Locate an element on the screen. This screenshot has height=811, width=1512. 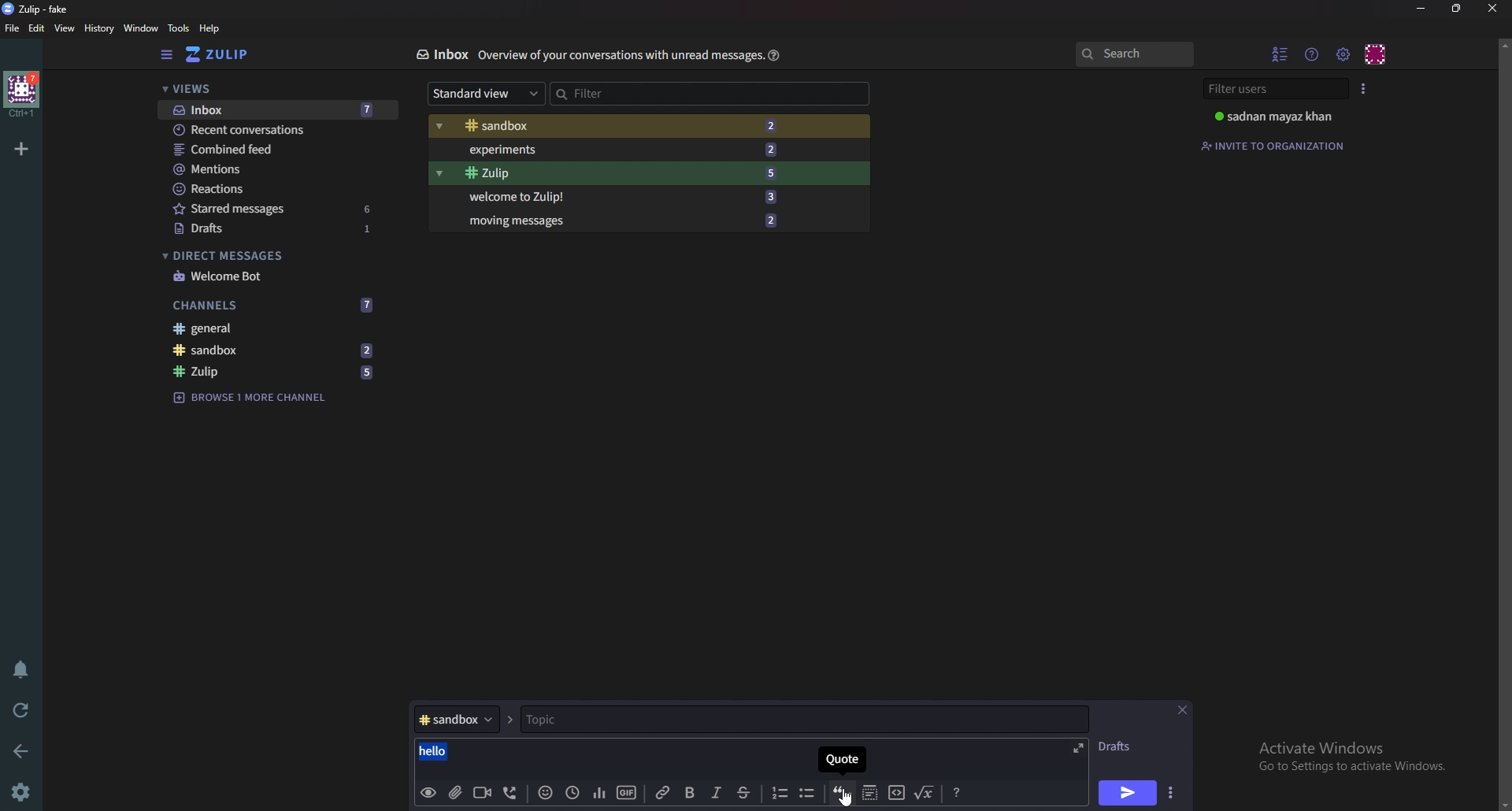
Personal menu is located at coordinates (1377, 53).